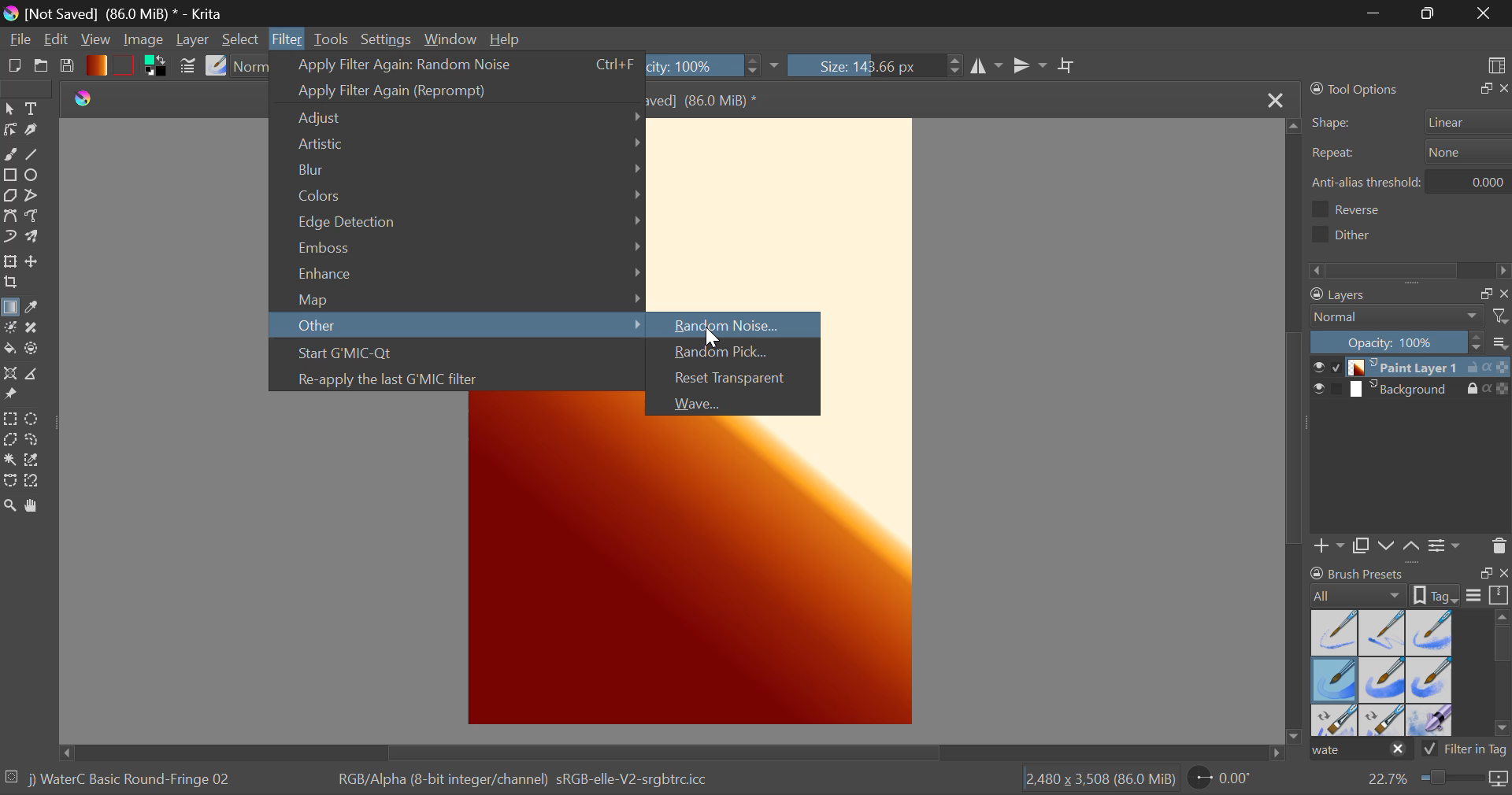  Describe the element at coordinates (96, 65) in the screenshot. I see `Gradient` at that location.